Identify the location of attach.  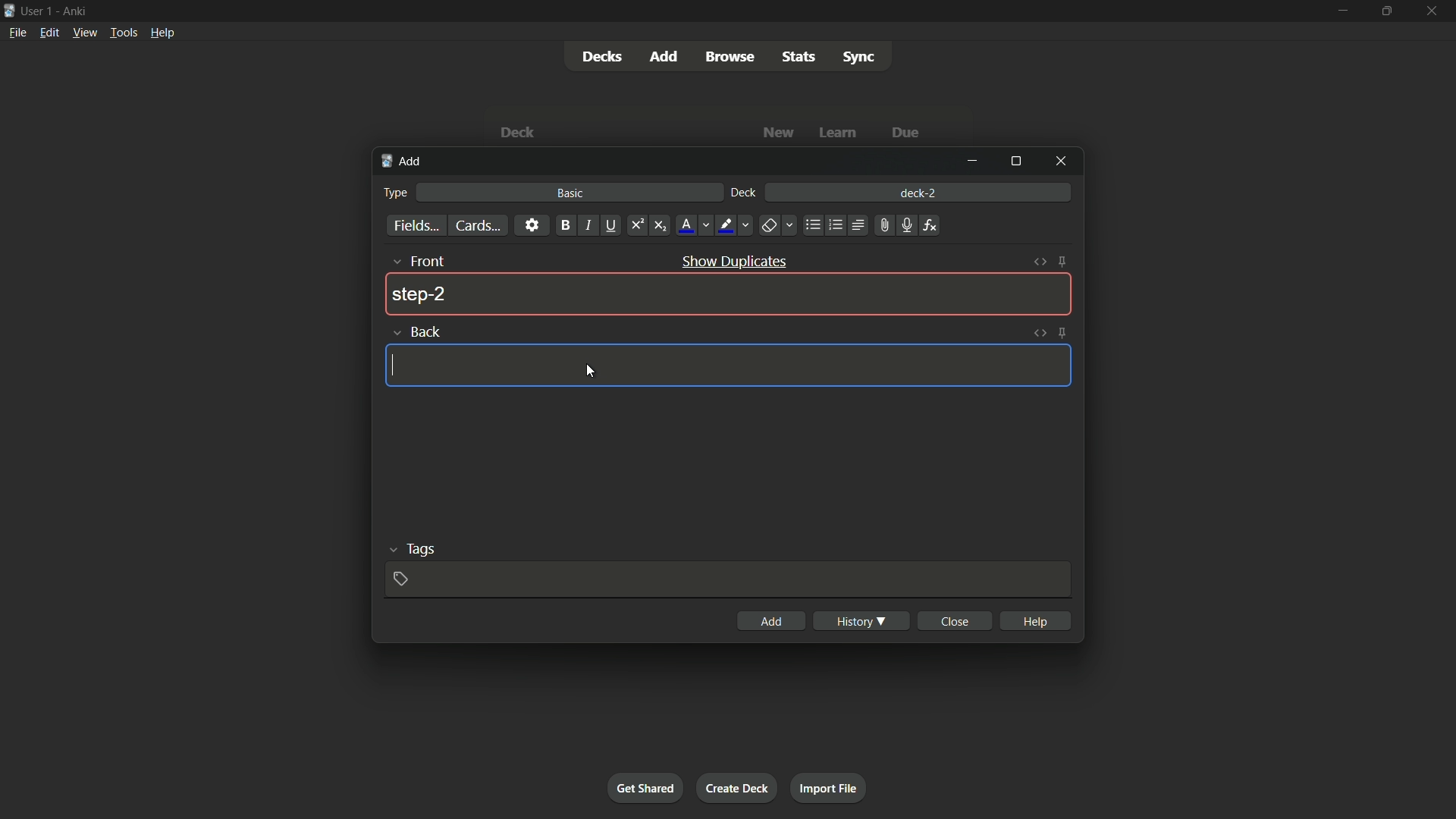
(885, 224).